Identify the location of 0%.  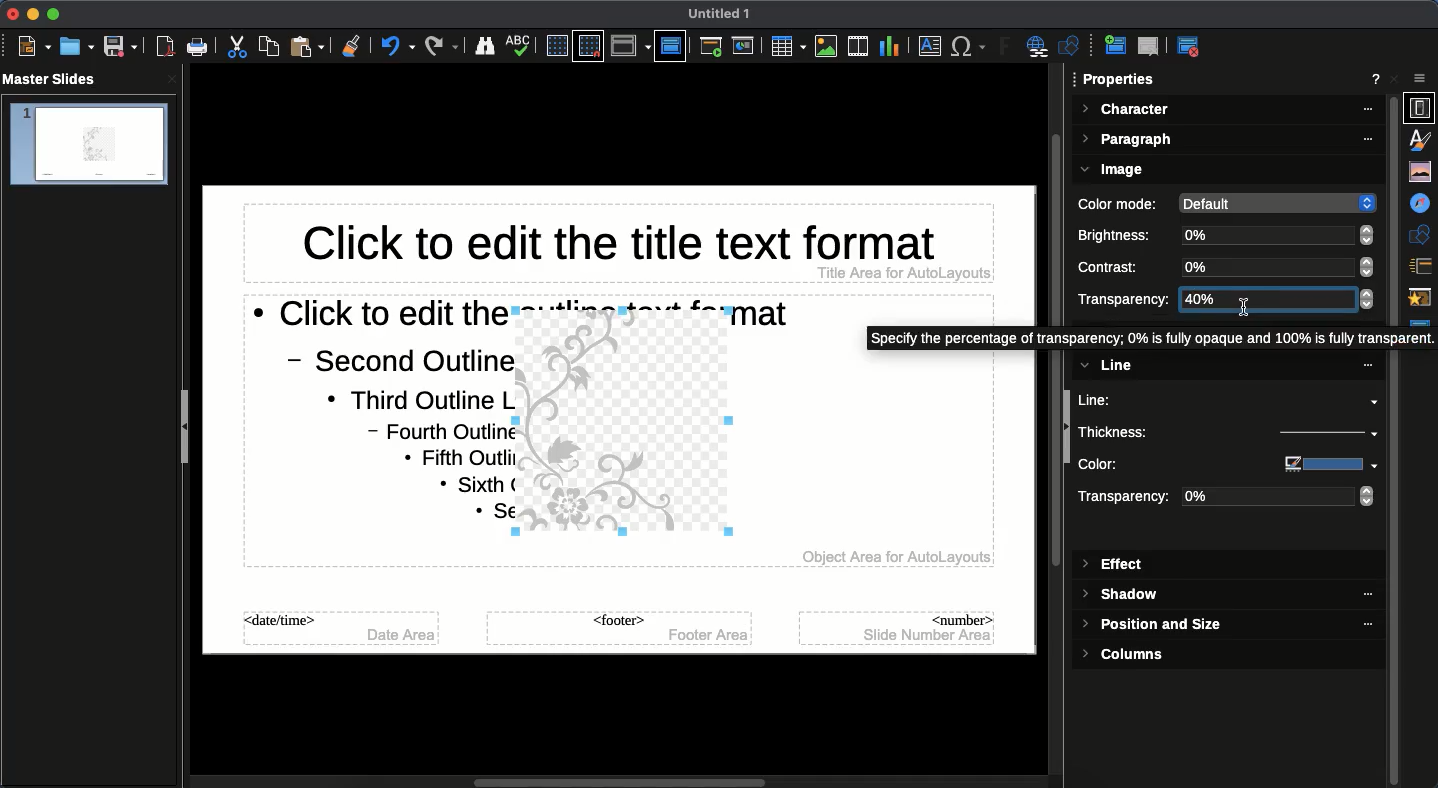
(1277, 235).